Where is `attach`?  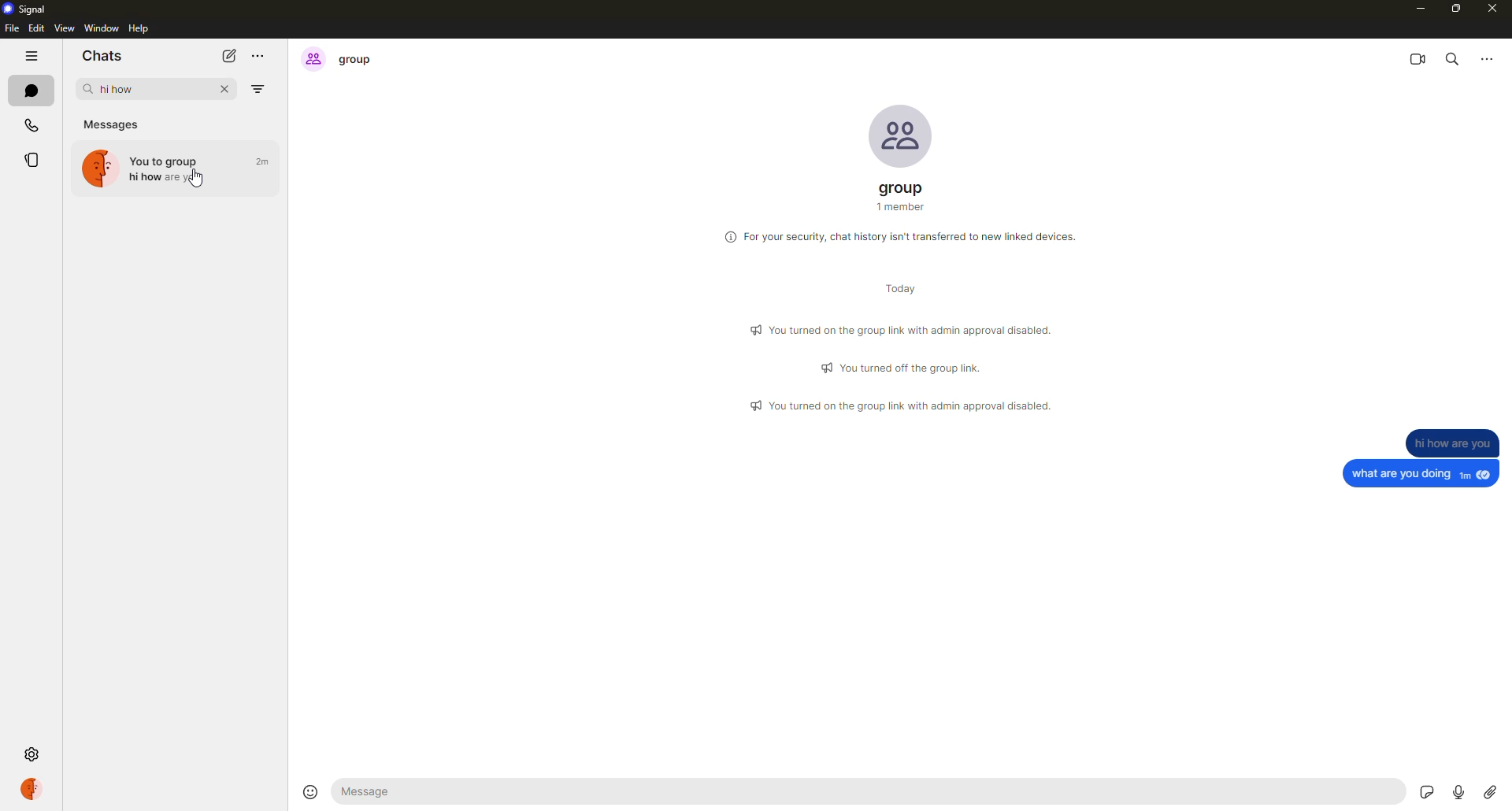
attach is located at coordinates (1490, 791).